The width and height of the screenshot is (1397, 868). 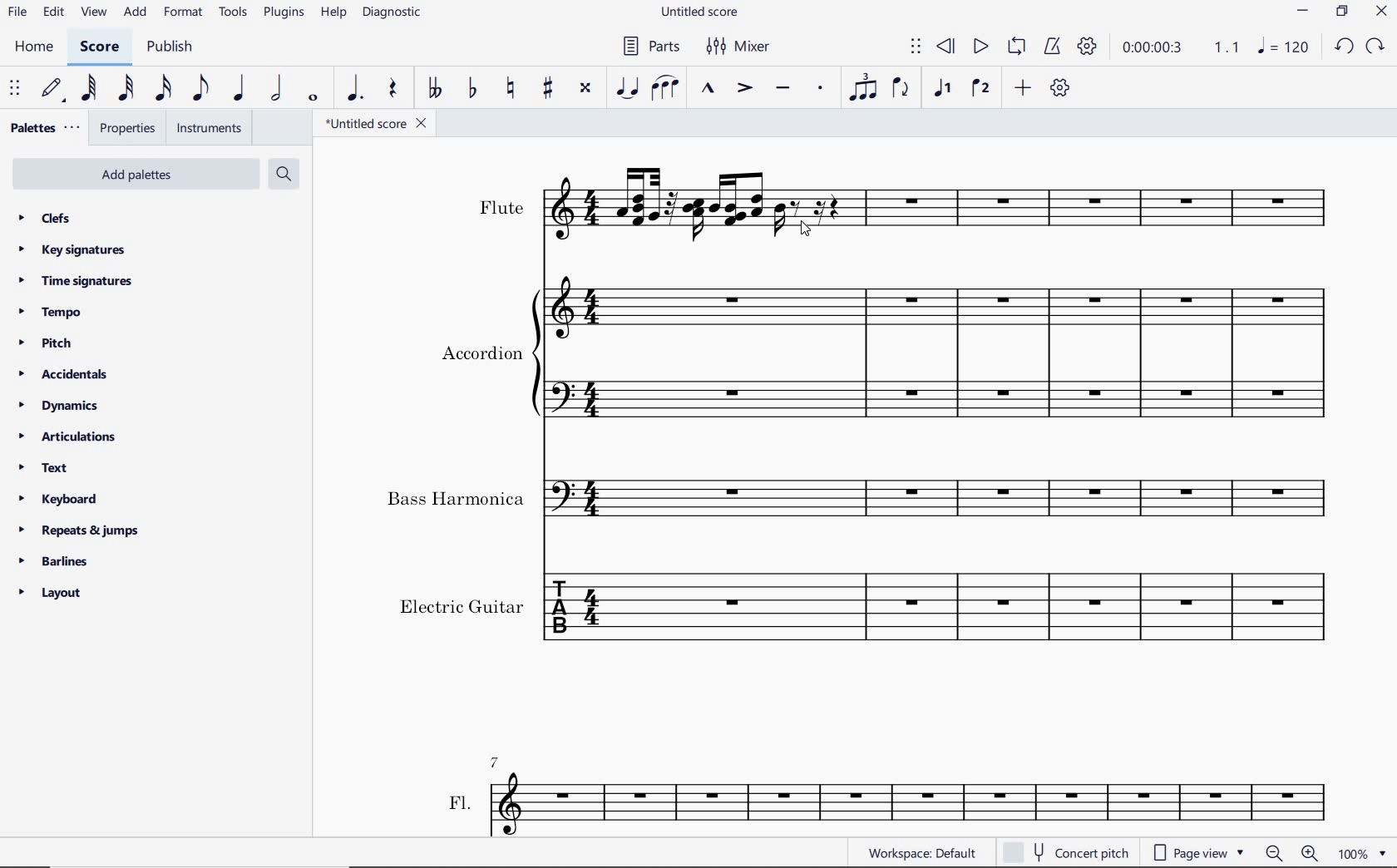 I want to click on keyboard, so click(x=61, y=499).